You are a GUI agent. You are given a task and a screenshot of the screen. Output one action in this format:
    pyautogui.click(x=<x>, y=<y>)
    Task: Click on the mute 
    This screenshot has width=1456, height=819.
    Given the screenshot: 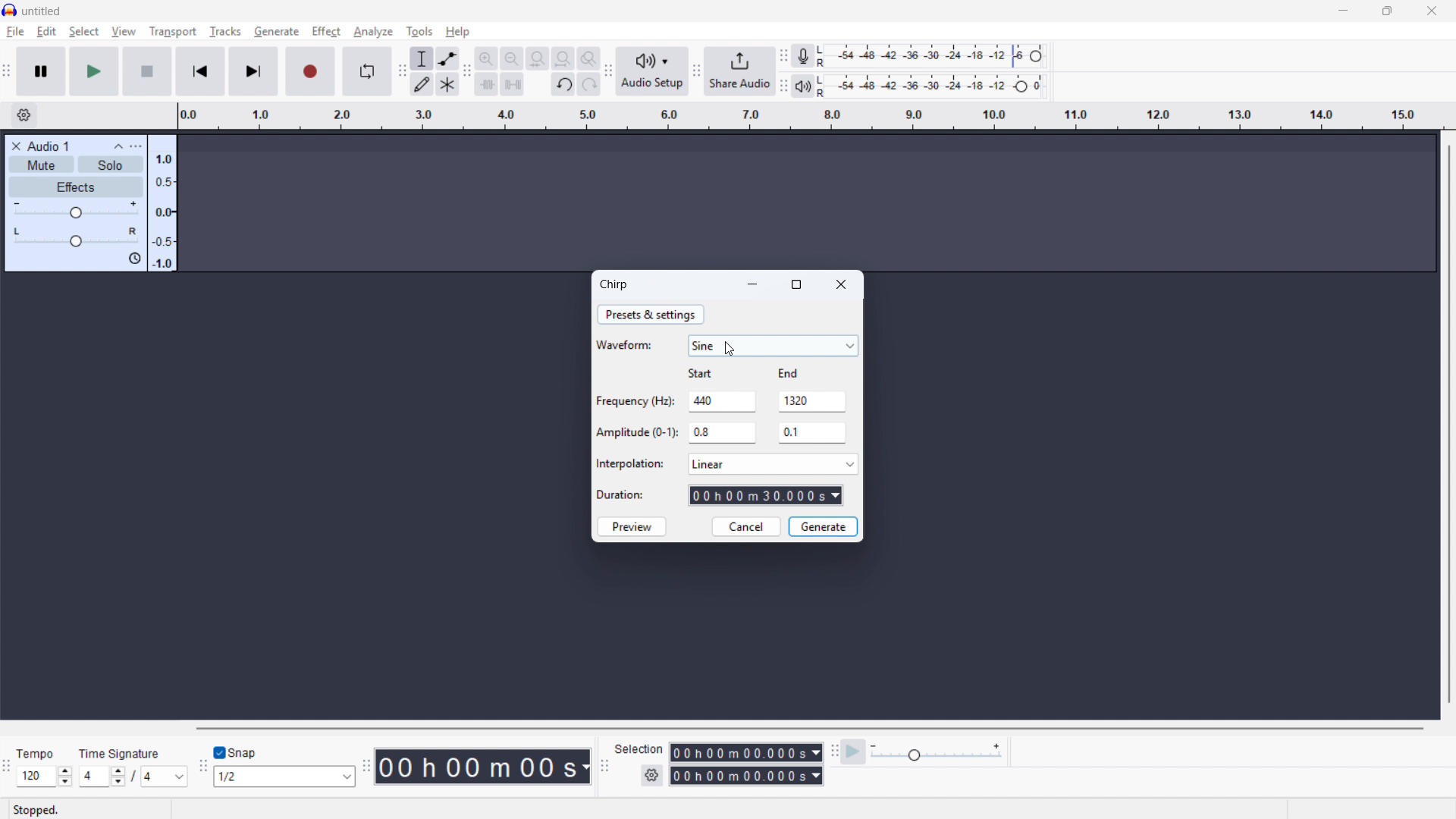 What is the action you would take?
    pyautogui.click(x=41, y=164)
    